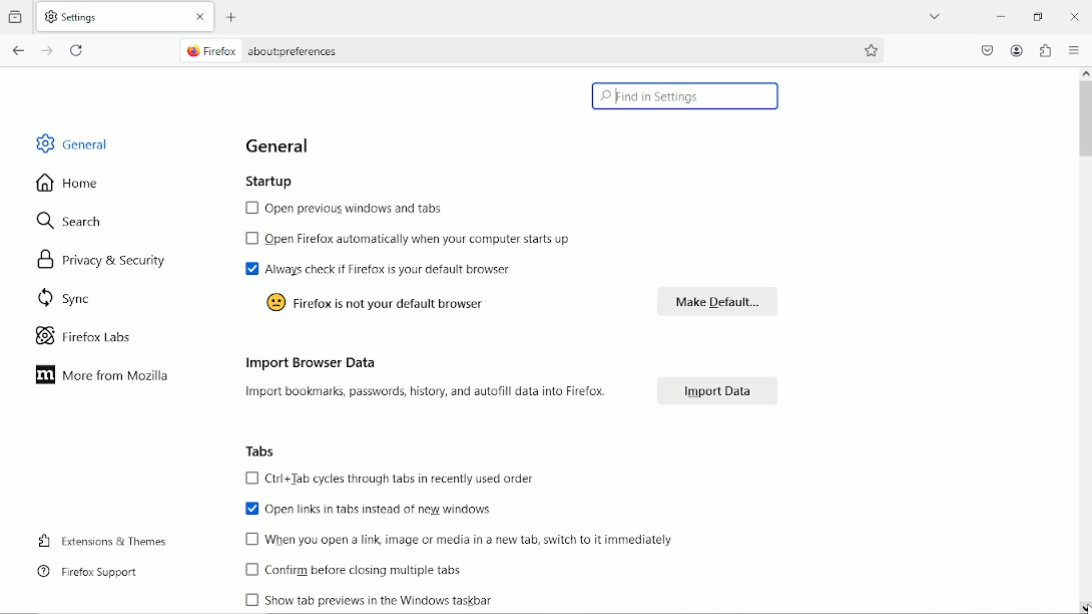 The image size is (1092, 614). What do you see at coordinates (259, 450) in the screenshot?
I see `Tabs` at bounding box center [259, 450].